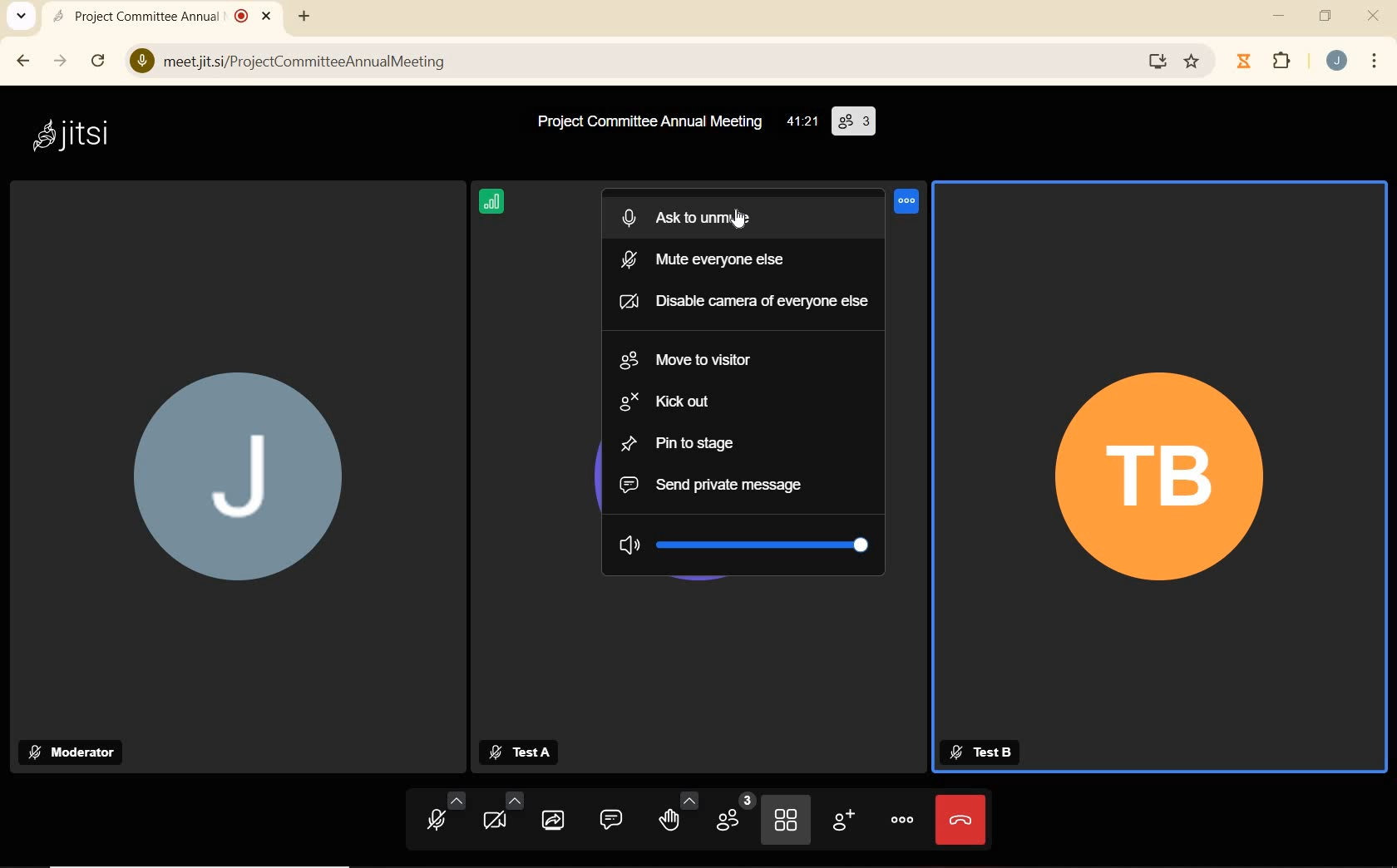  I want to click on MODERATOR, so click(74, 752).